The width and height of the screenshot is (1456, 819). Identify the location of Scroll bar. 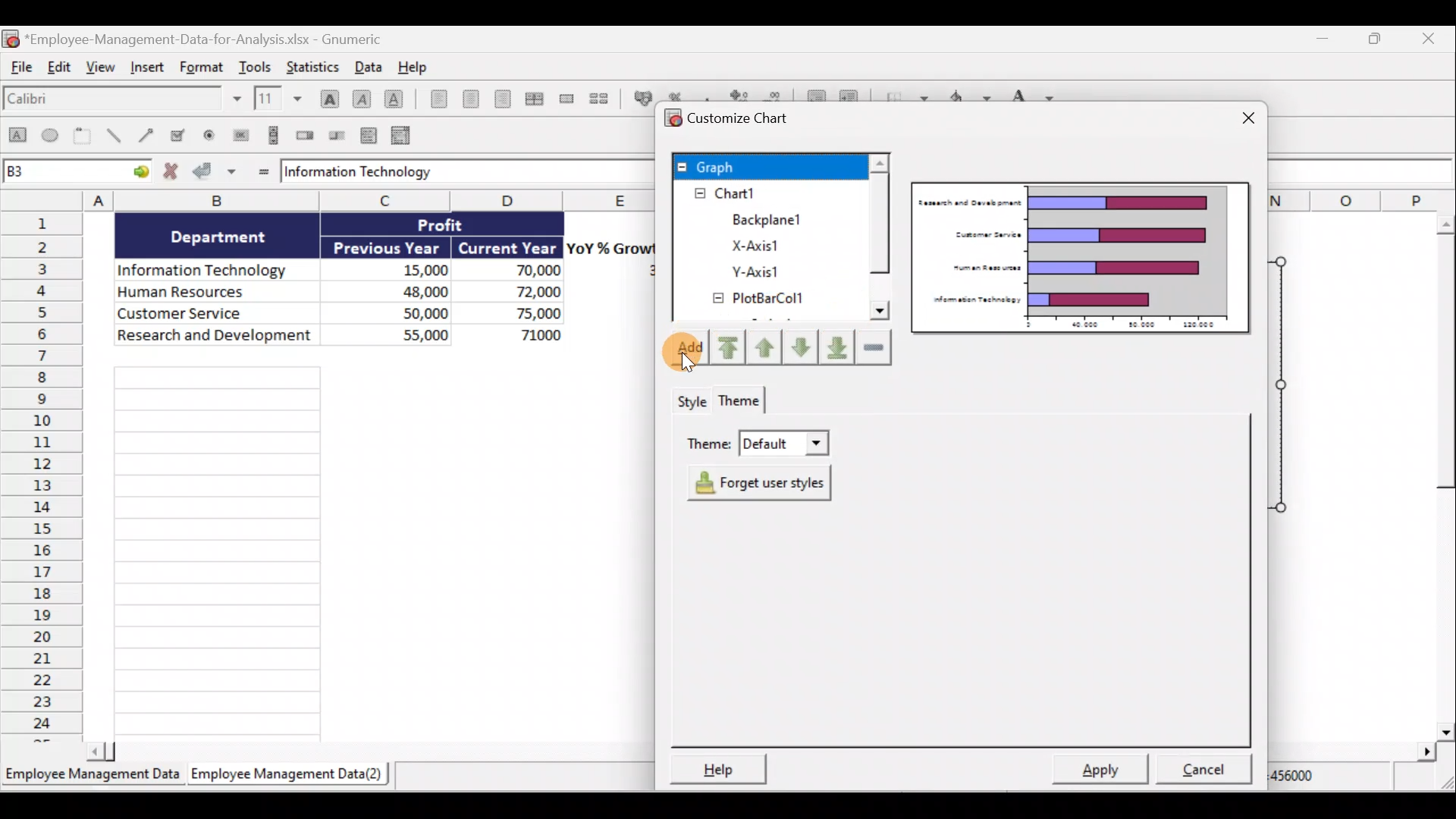
(370, 755).